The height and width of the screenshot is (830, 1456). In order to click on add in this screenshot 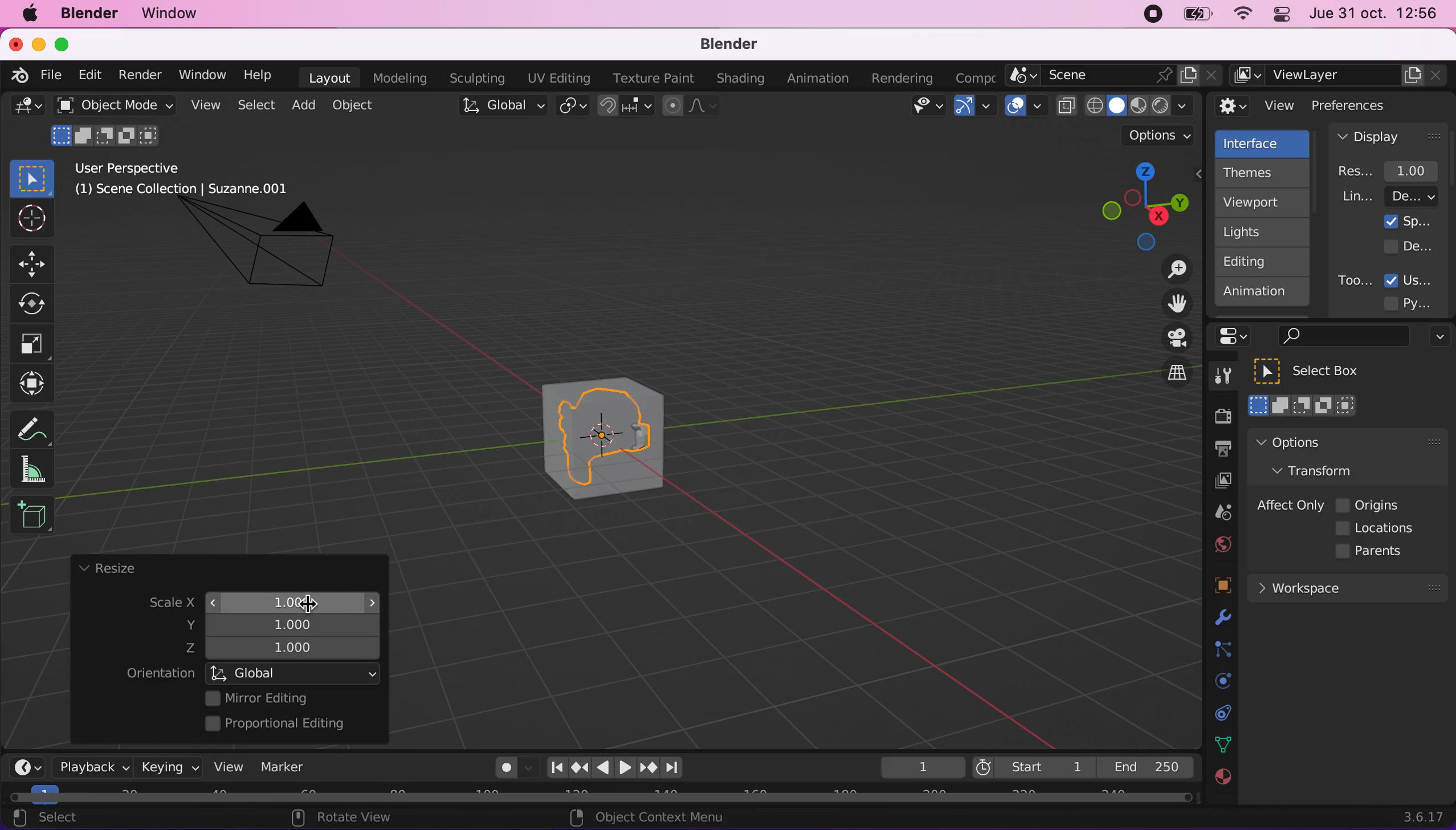, I will do `click(301, 105)`.